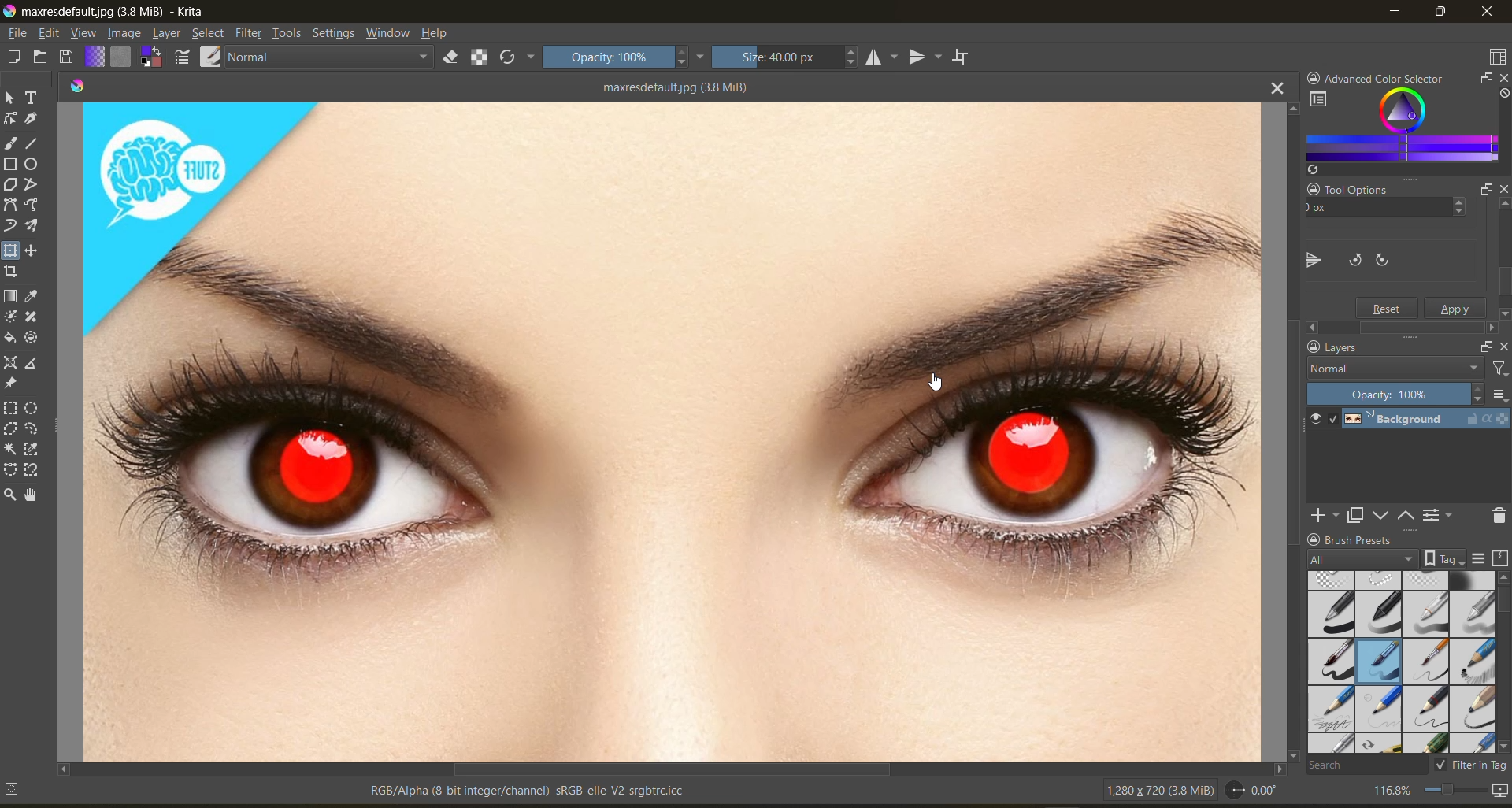 The height and width of the screenshot is (808, 1512). Describe the element at coordinates (1395, 369) in the screenshot. I see `normal` at that location.